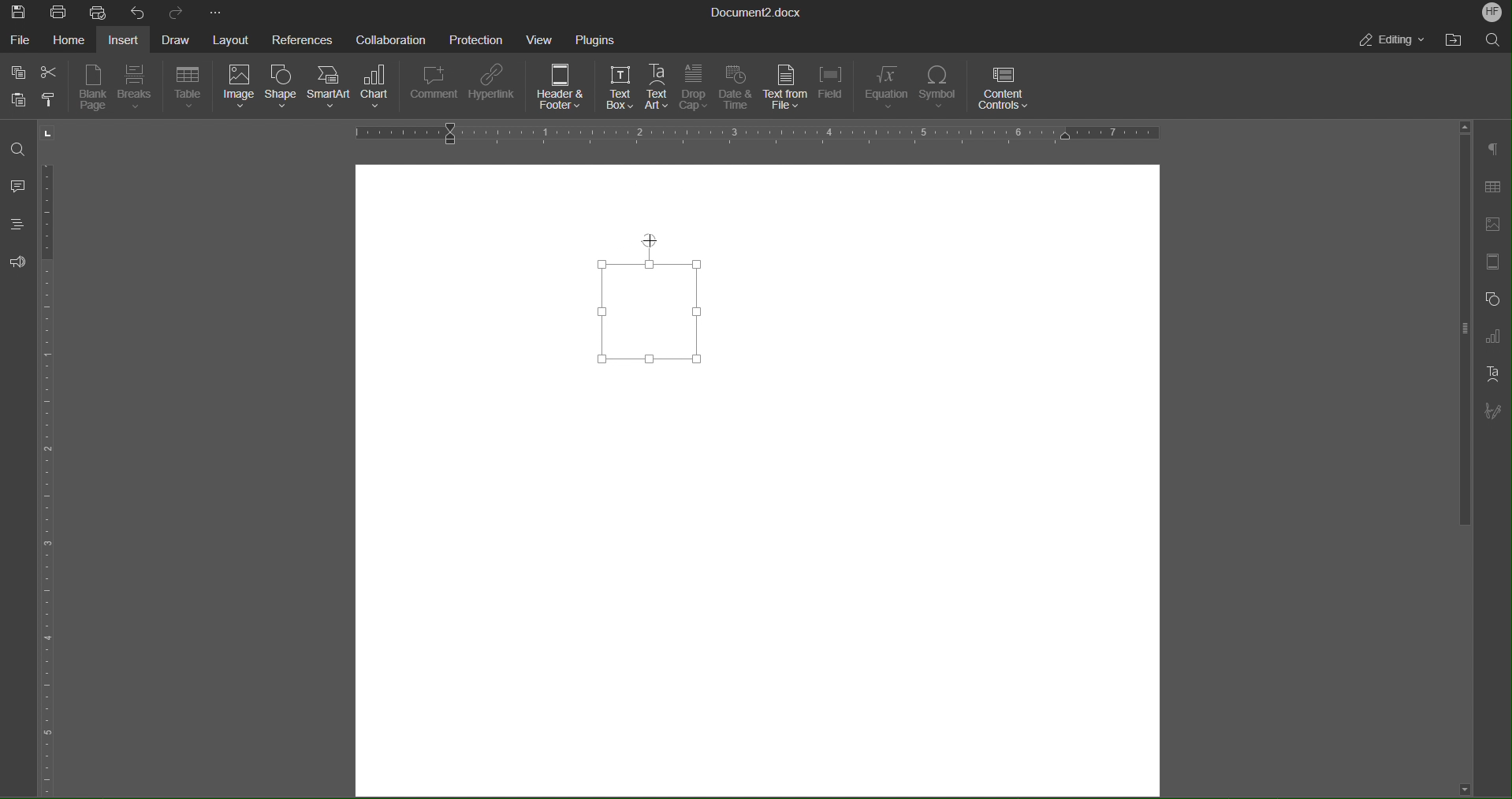 This screenshot has width=1512, height=799. What do you see at coordinates (54, 100) in the screenshot?
I see `Copy Style` at bounding box center [54, 100].